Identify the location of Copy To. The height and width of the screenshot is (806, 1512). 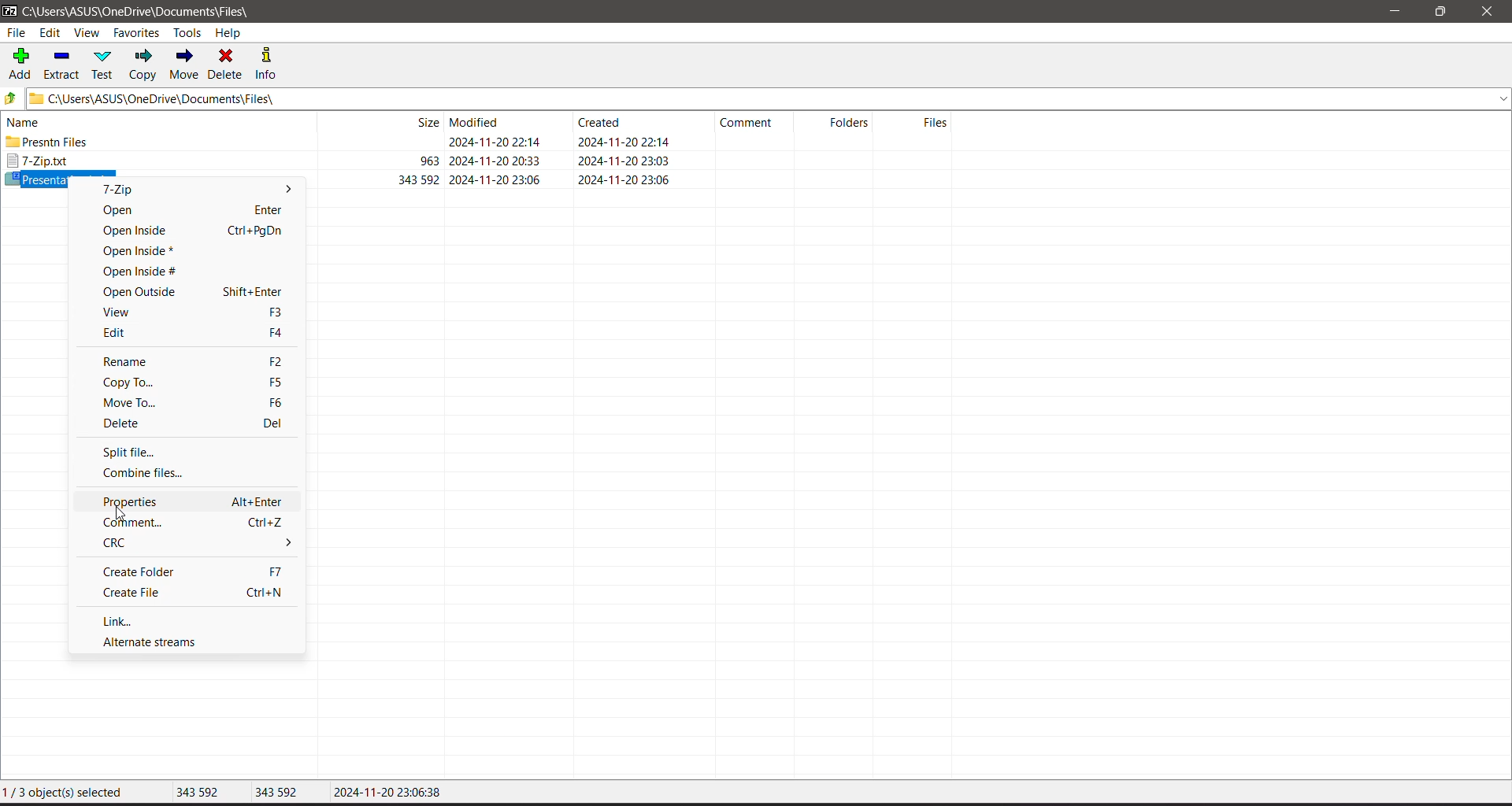
(190, 382).